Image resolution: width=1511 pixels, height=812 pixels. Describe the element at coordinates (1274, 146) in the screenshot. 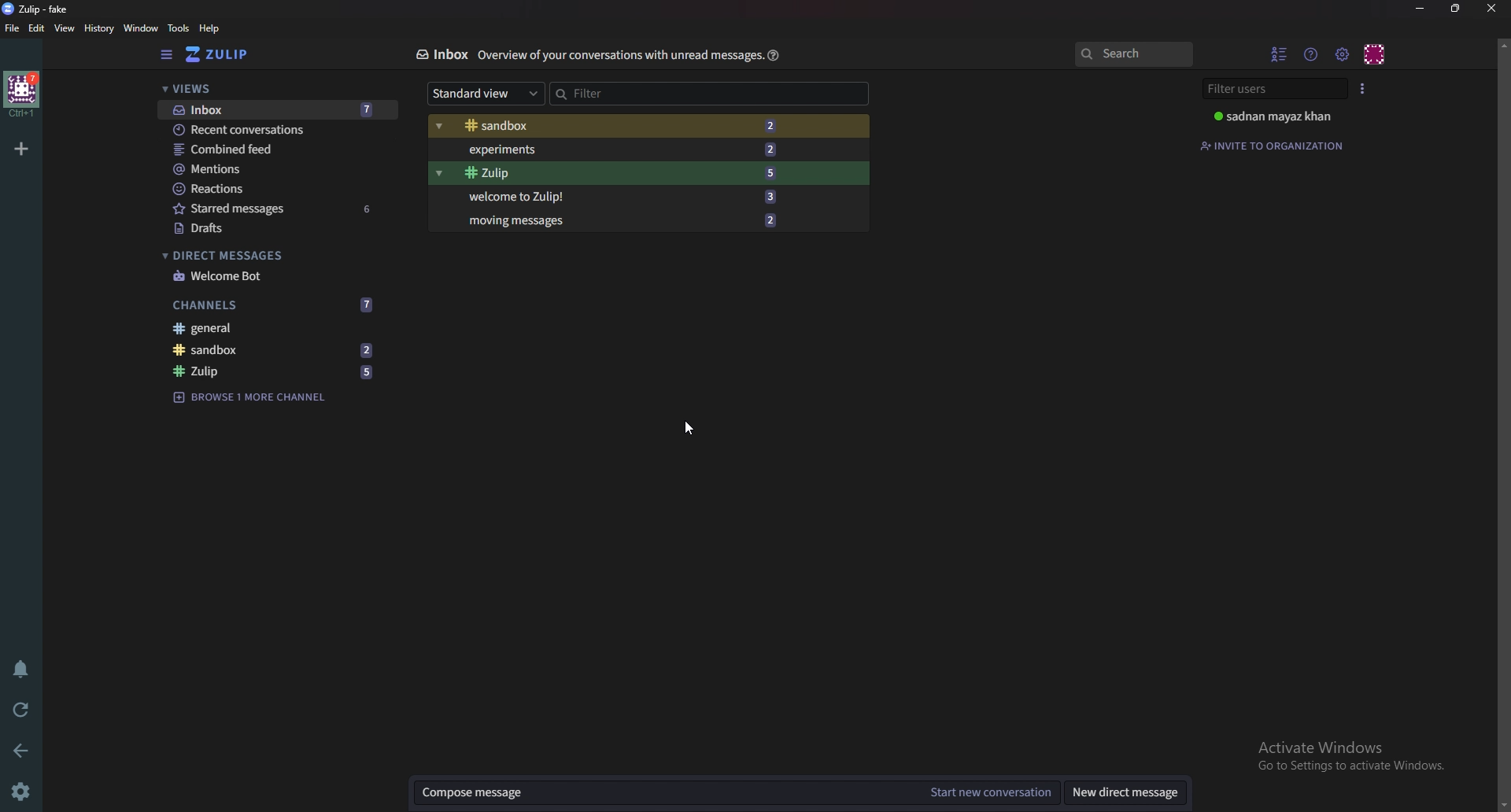

I see `Invite to organization` at that location.